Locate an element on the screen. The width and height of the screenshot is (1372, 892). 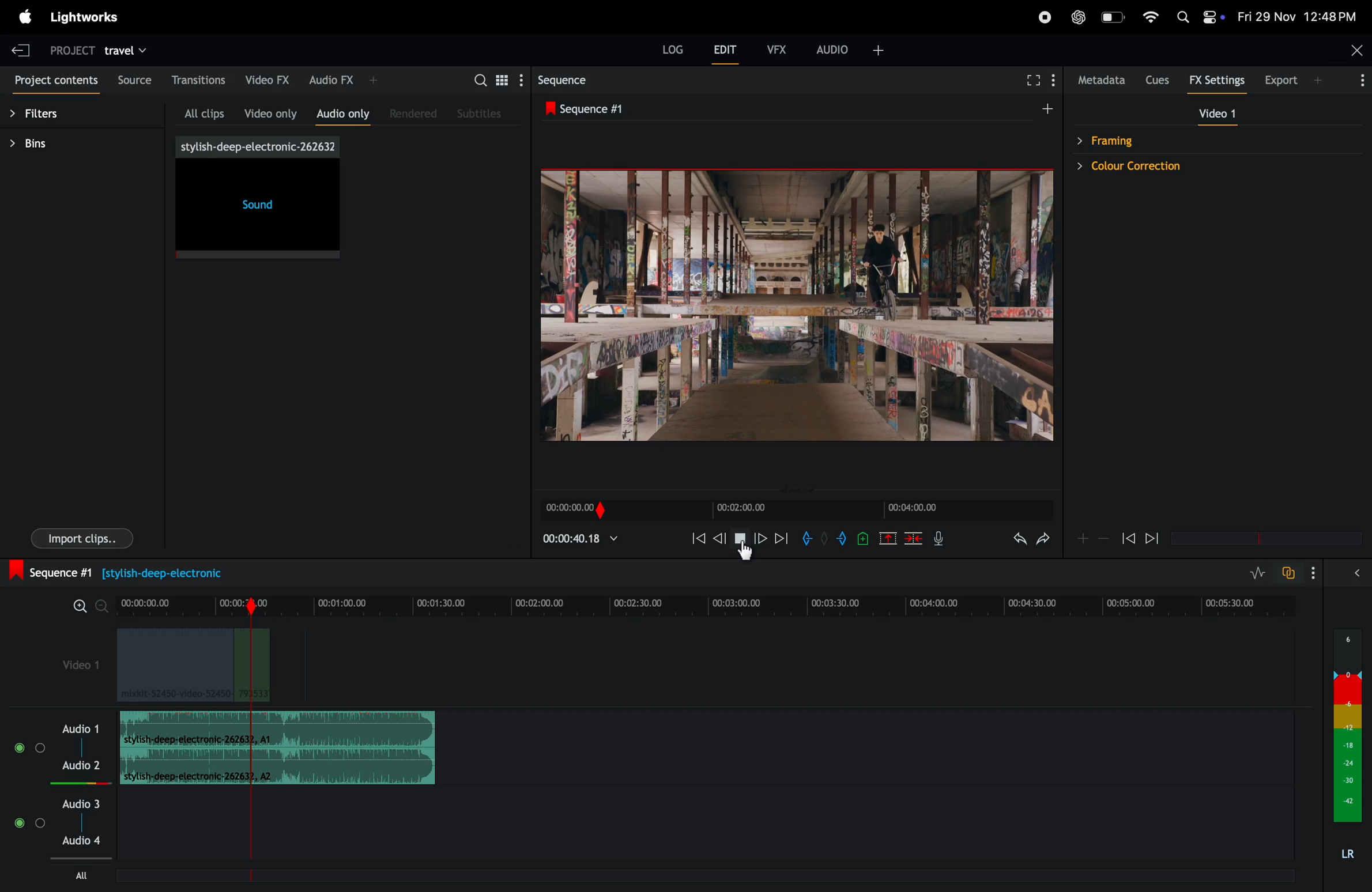
Toggle is located at coordinates (18, 825).